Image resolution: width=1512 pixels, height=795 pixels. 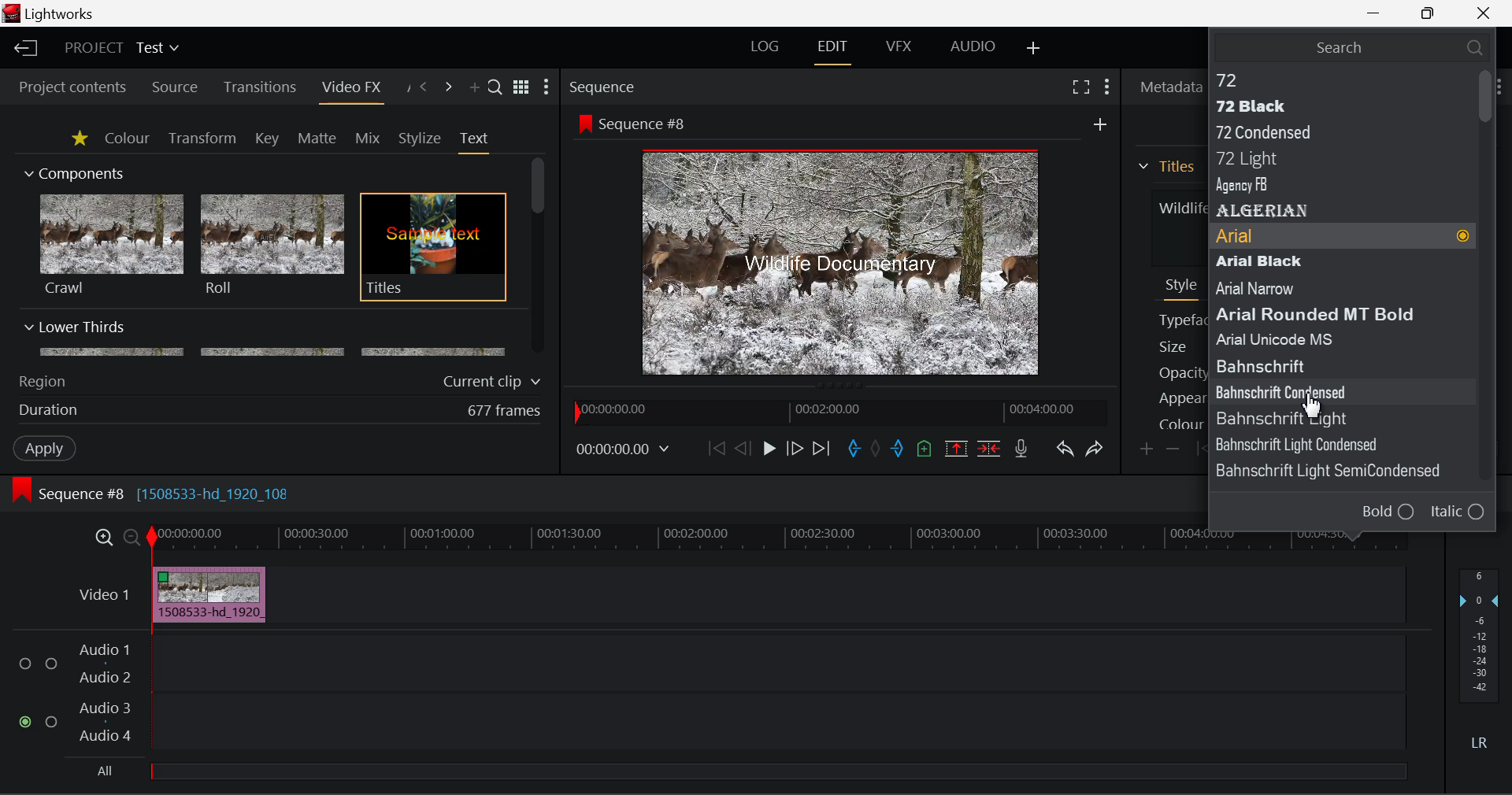 What do you see at coordinates (1458, 512) in the screenshot?
I see `Italic` at bounding box center [1458, 512].